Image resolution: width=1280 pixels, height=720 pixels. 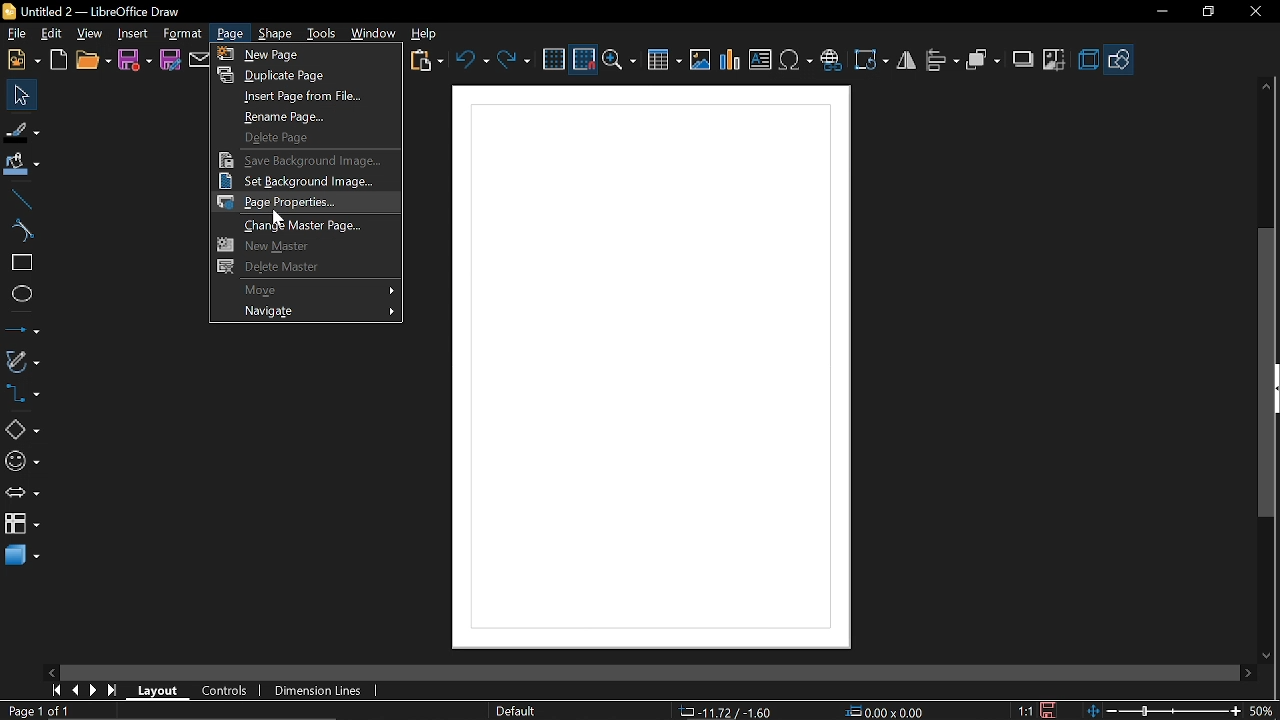 I want to click on Restore down, so click(x=1206, y=14).